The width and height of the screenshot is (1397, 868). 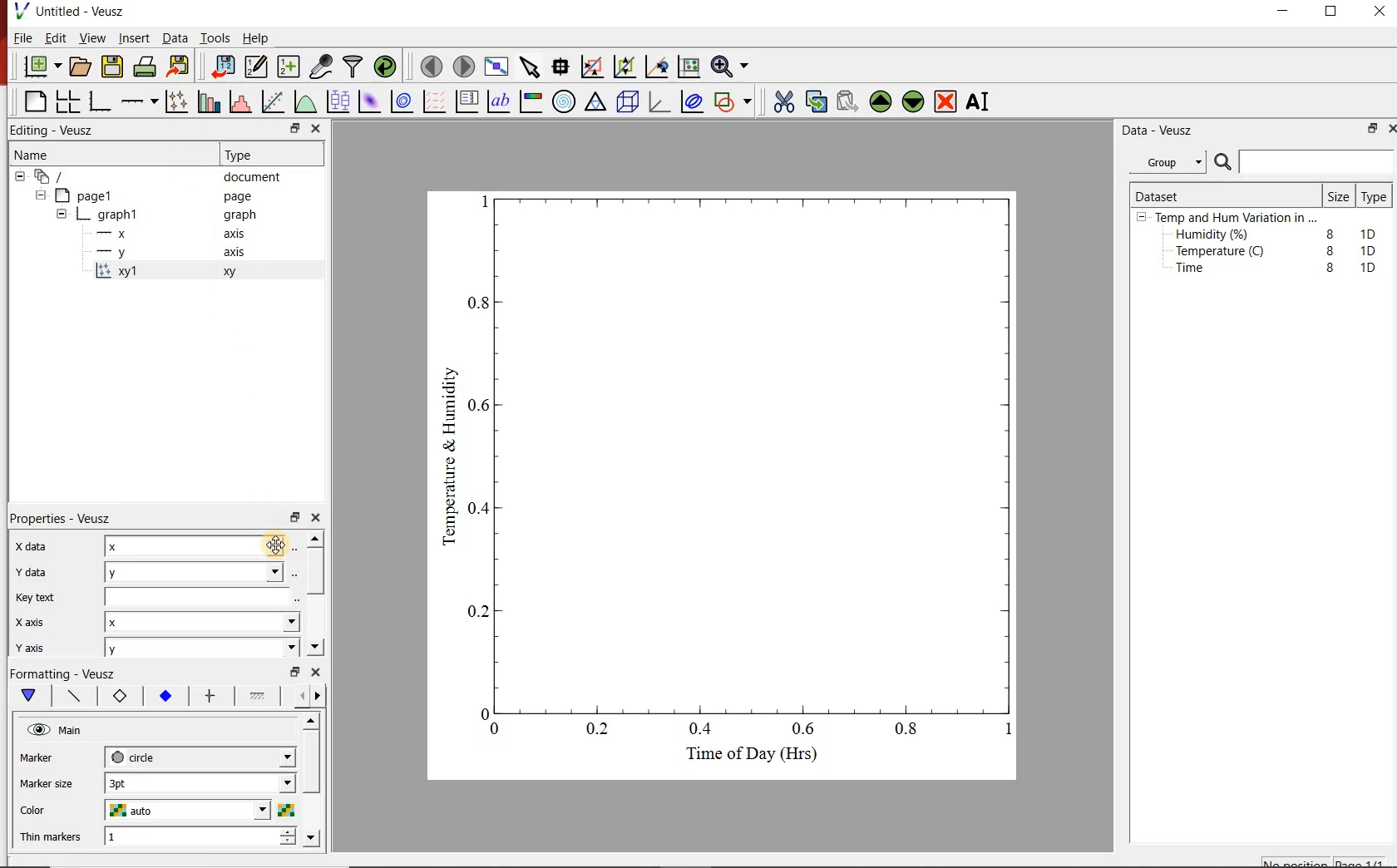 I want to click on fill 1, so click(x=259, y=697).